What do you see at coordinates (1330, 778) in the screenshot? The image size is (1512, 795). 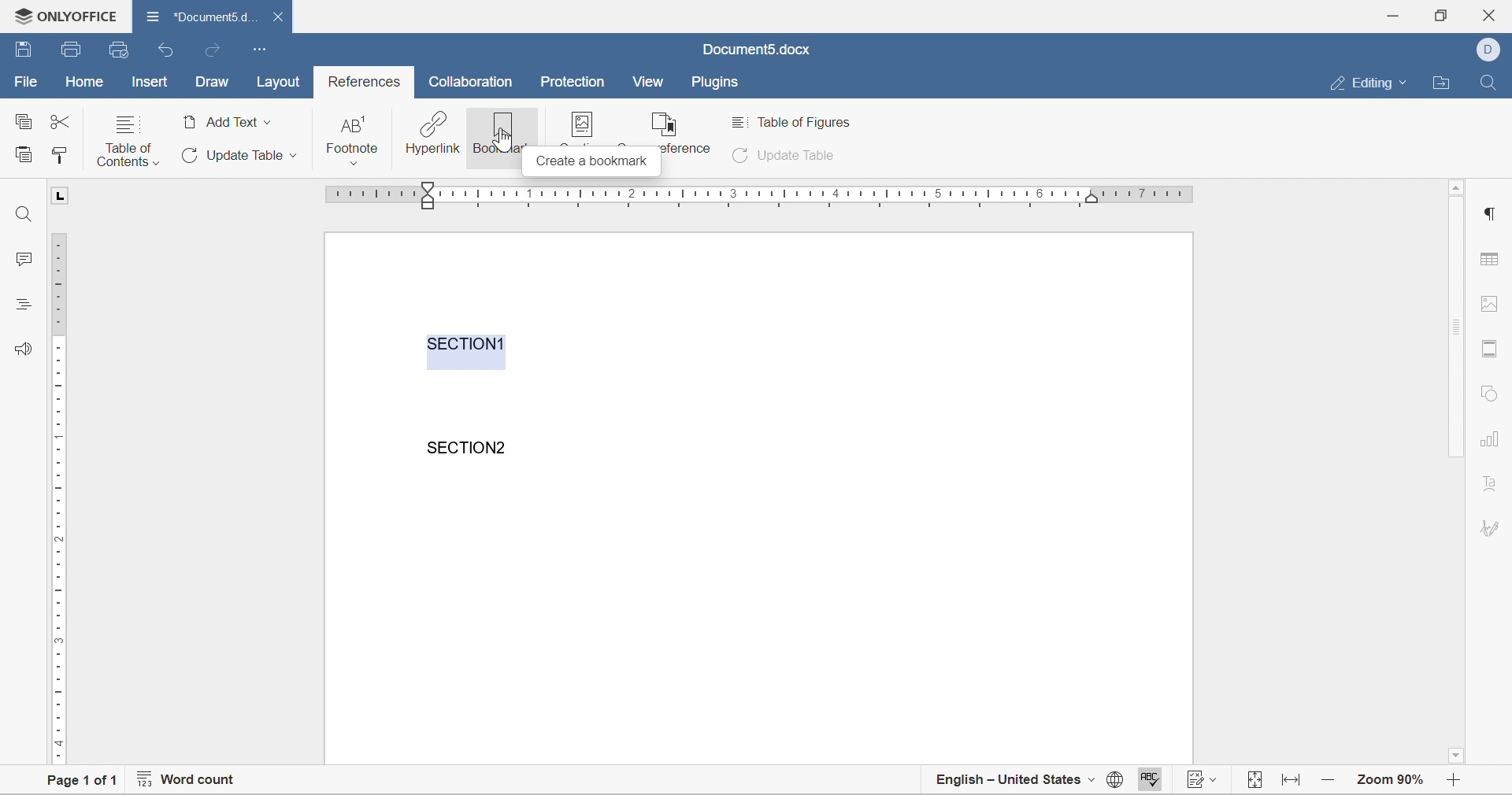 I see `zoom in` at bounding box center [1330, 778].